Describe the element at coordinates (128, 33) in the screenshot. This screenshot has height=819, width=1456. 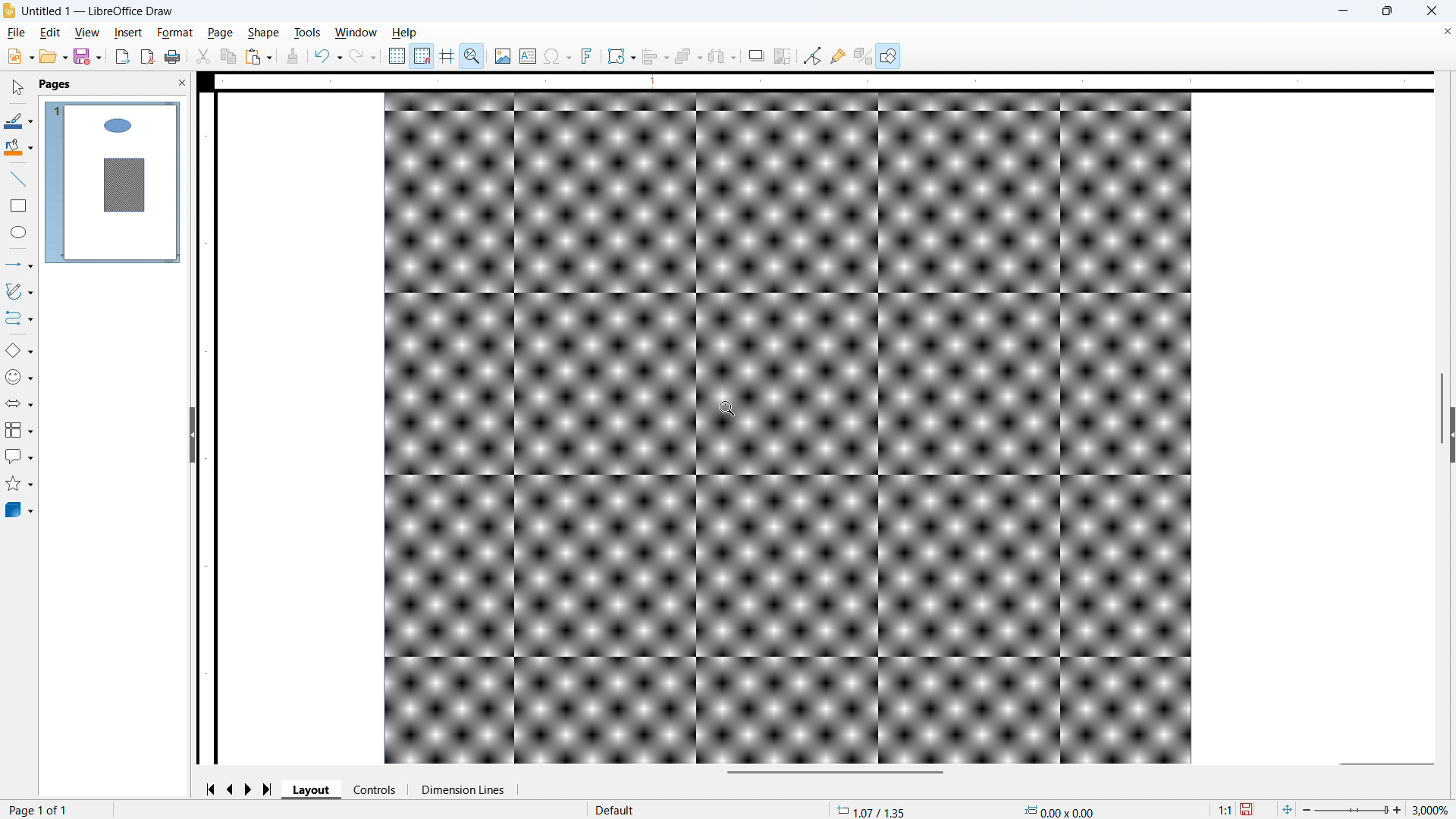
I see `Insert ` at that location.